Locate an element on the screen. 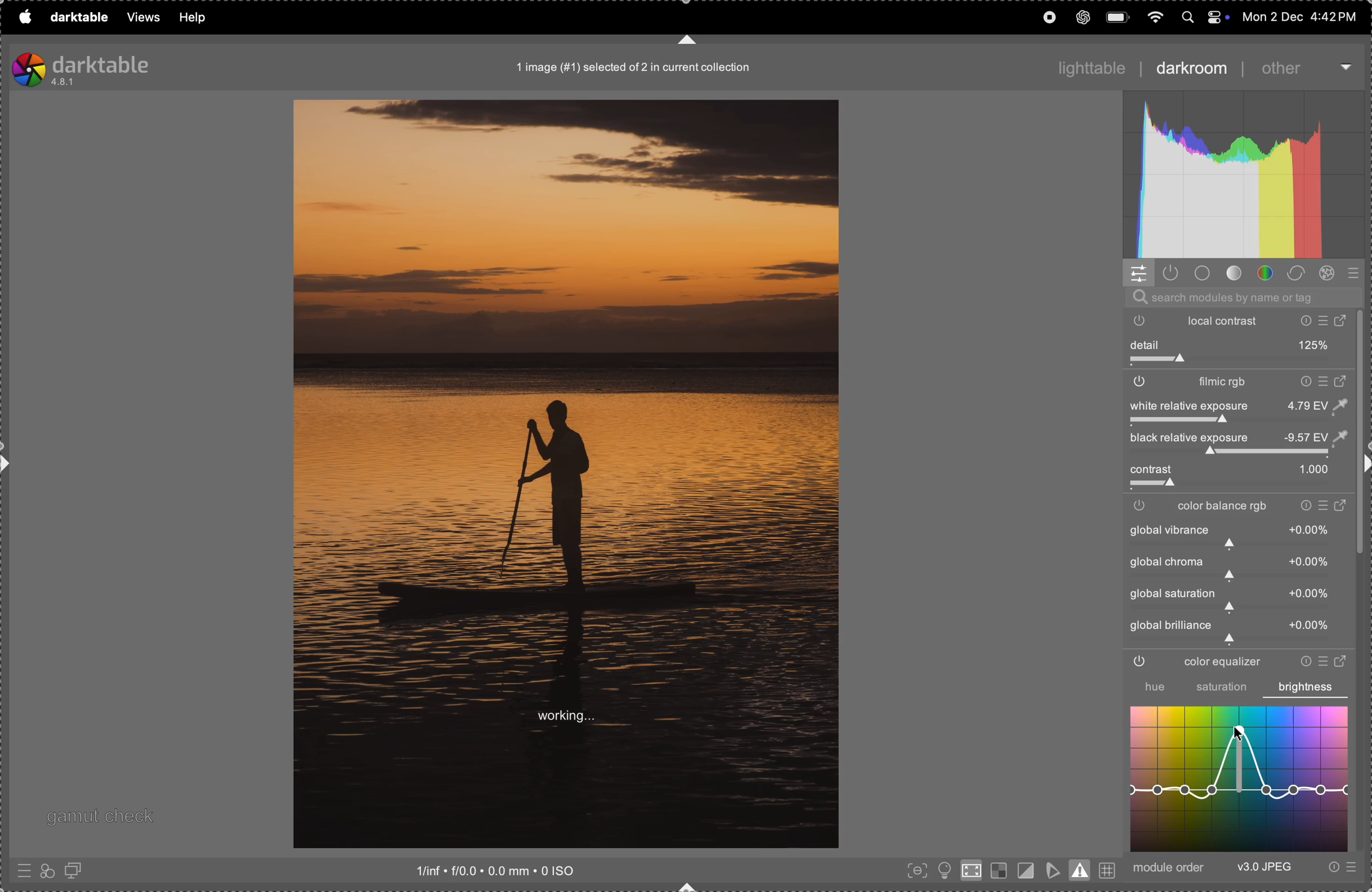 The image size is (1372, 892). contrast is located at coordinates (1234, 470).